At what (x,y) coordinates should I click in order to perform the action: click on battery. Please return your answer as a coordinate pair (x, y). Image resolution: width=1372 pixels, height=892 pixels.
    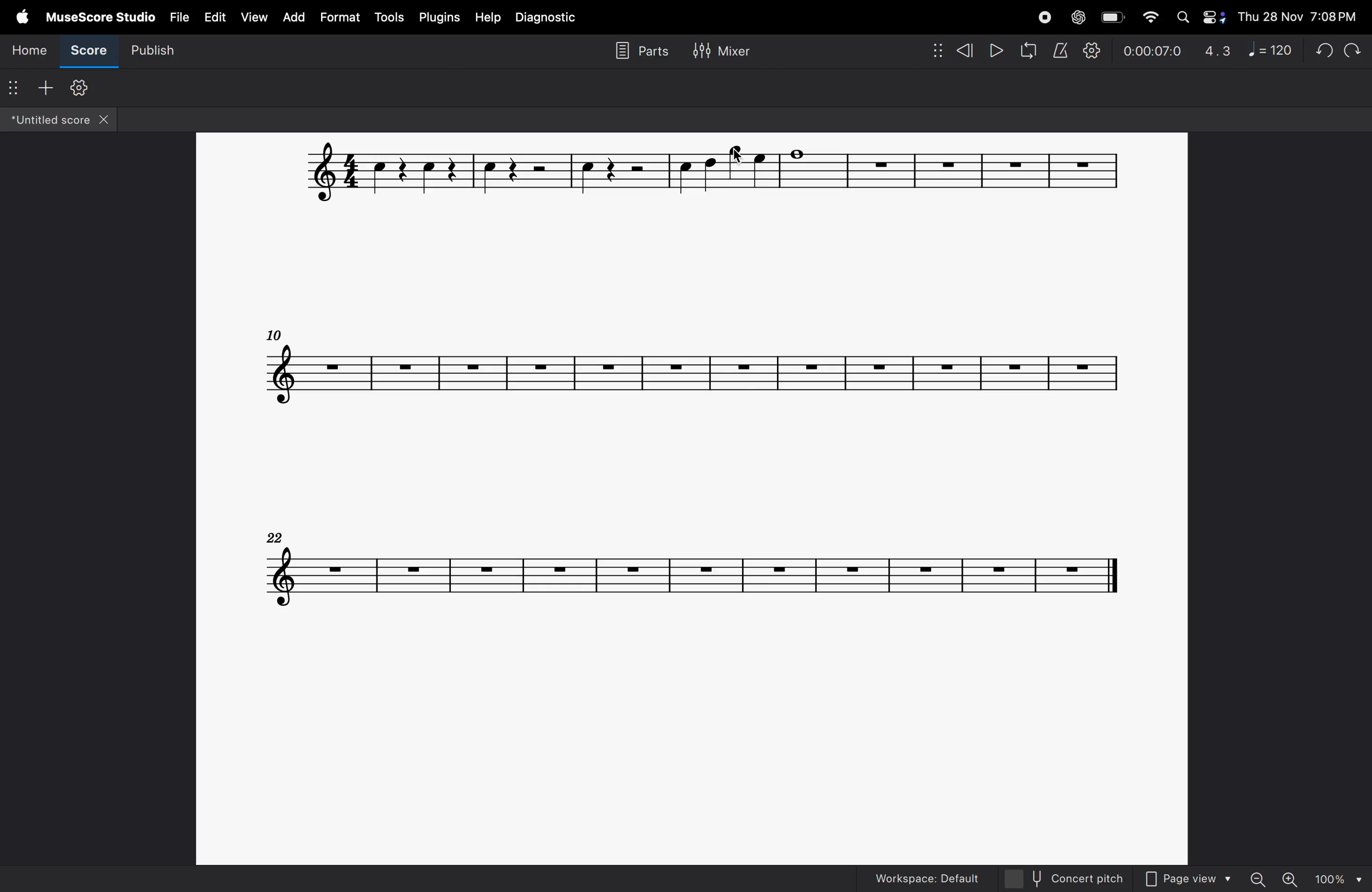
    Looking at the image, I should click on (1111, 18).